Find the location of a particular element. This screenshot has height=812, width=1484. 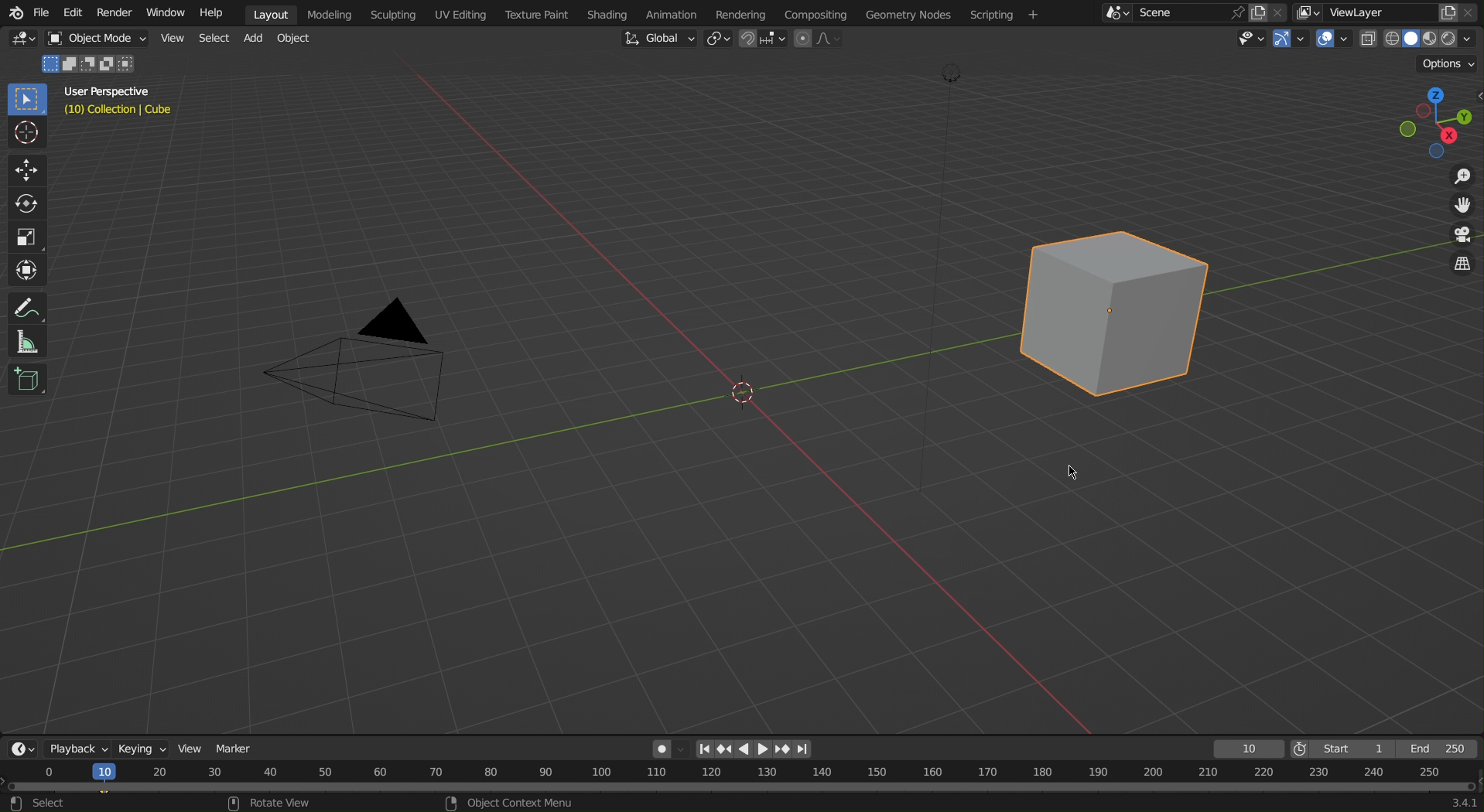

Object is located at coordinates (102, 39).